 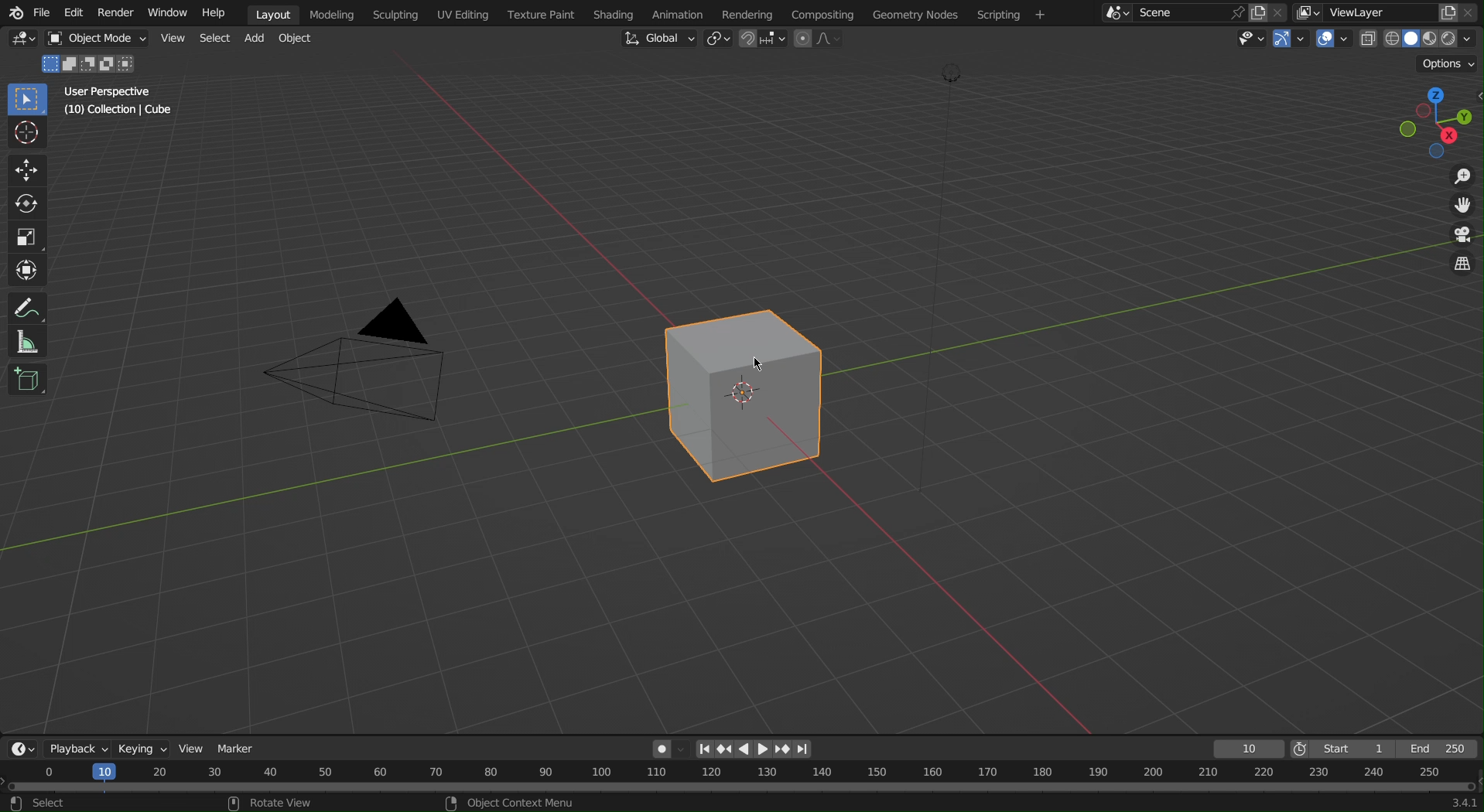 I want to click on Last page, so click(x=805, y=750).